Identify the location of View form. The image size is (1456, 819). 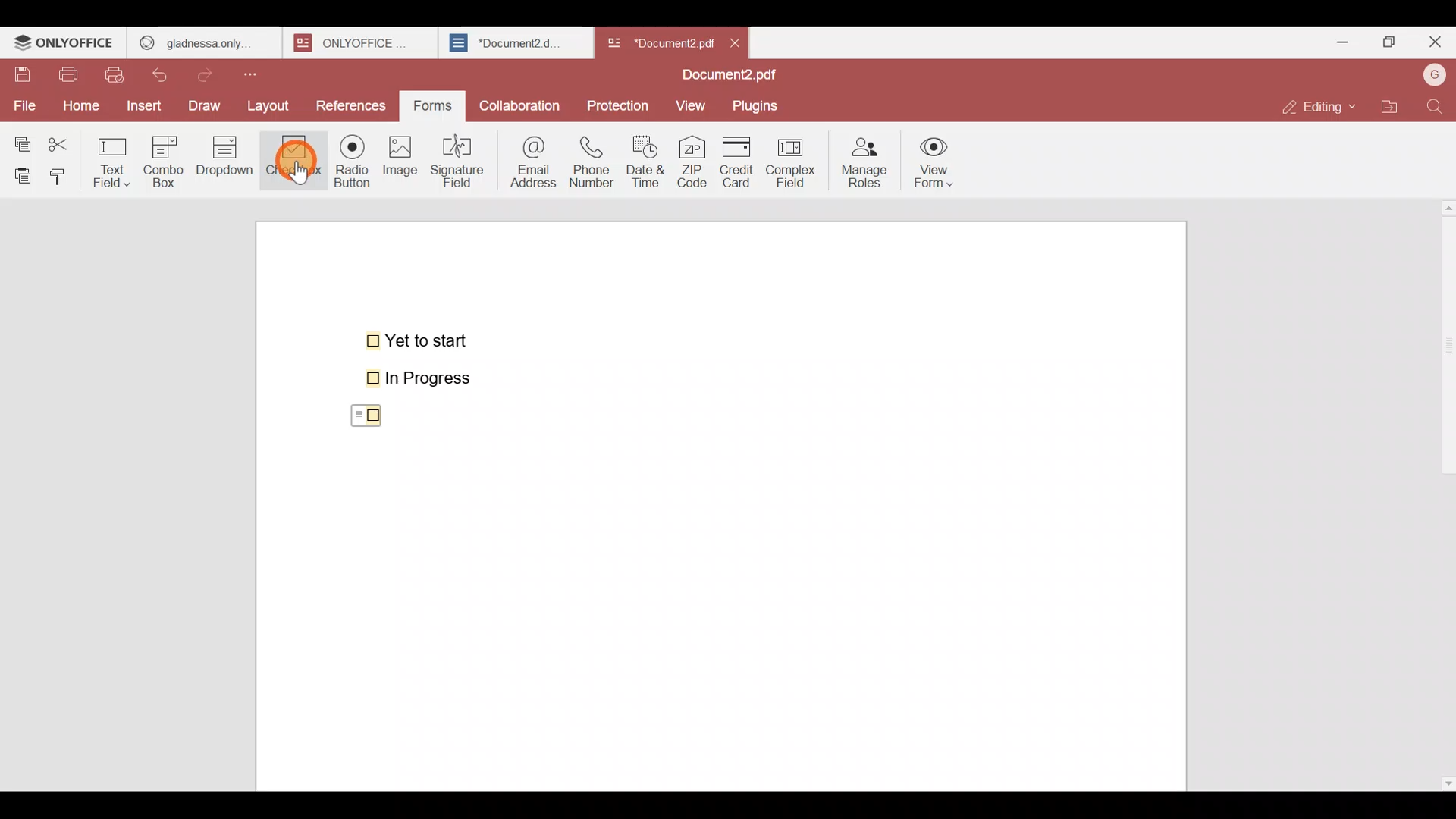
(936, 163).